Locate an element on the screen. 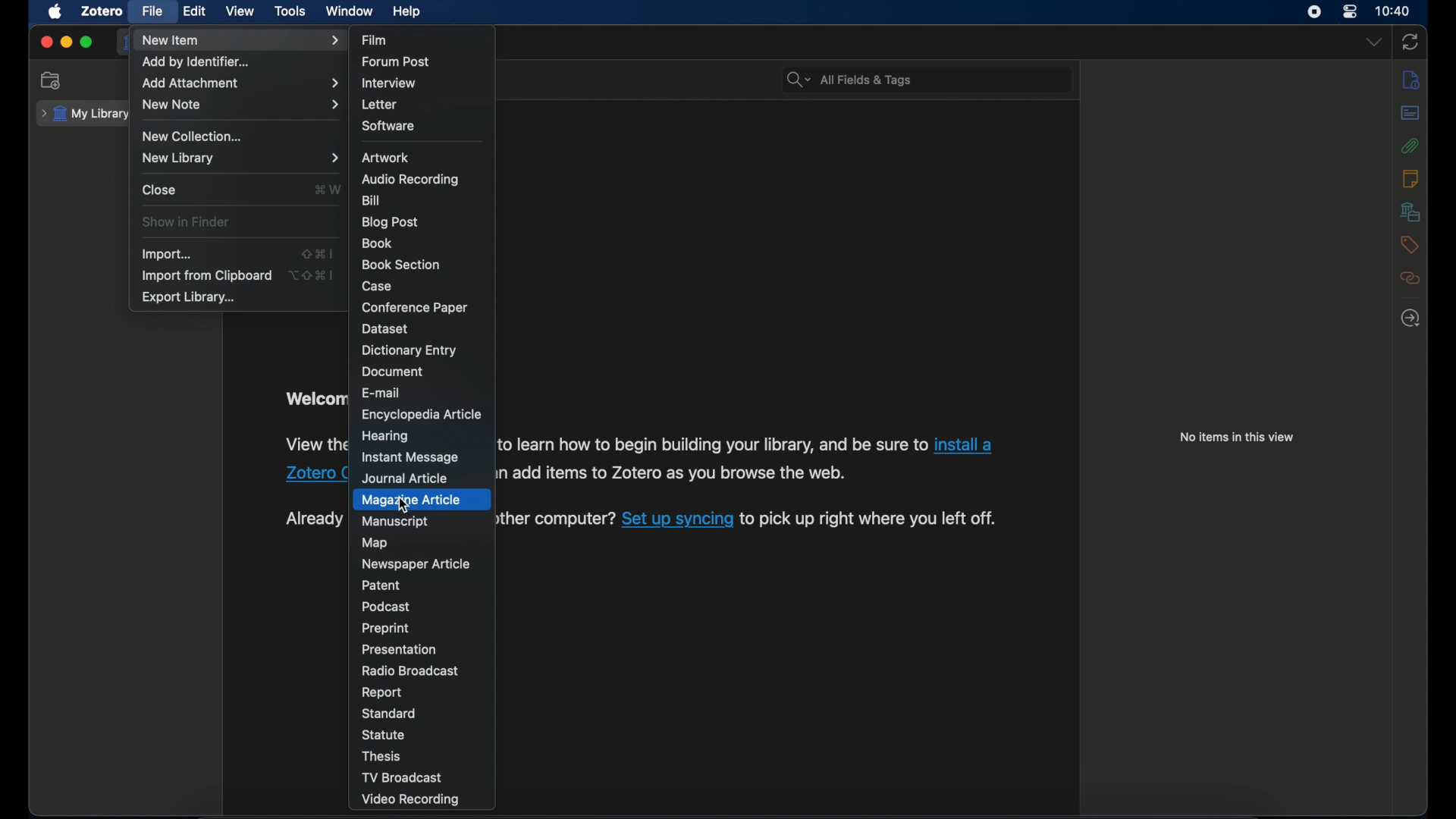  blog post is located at coordinates (391, 222).